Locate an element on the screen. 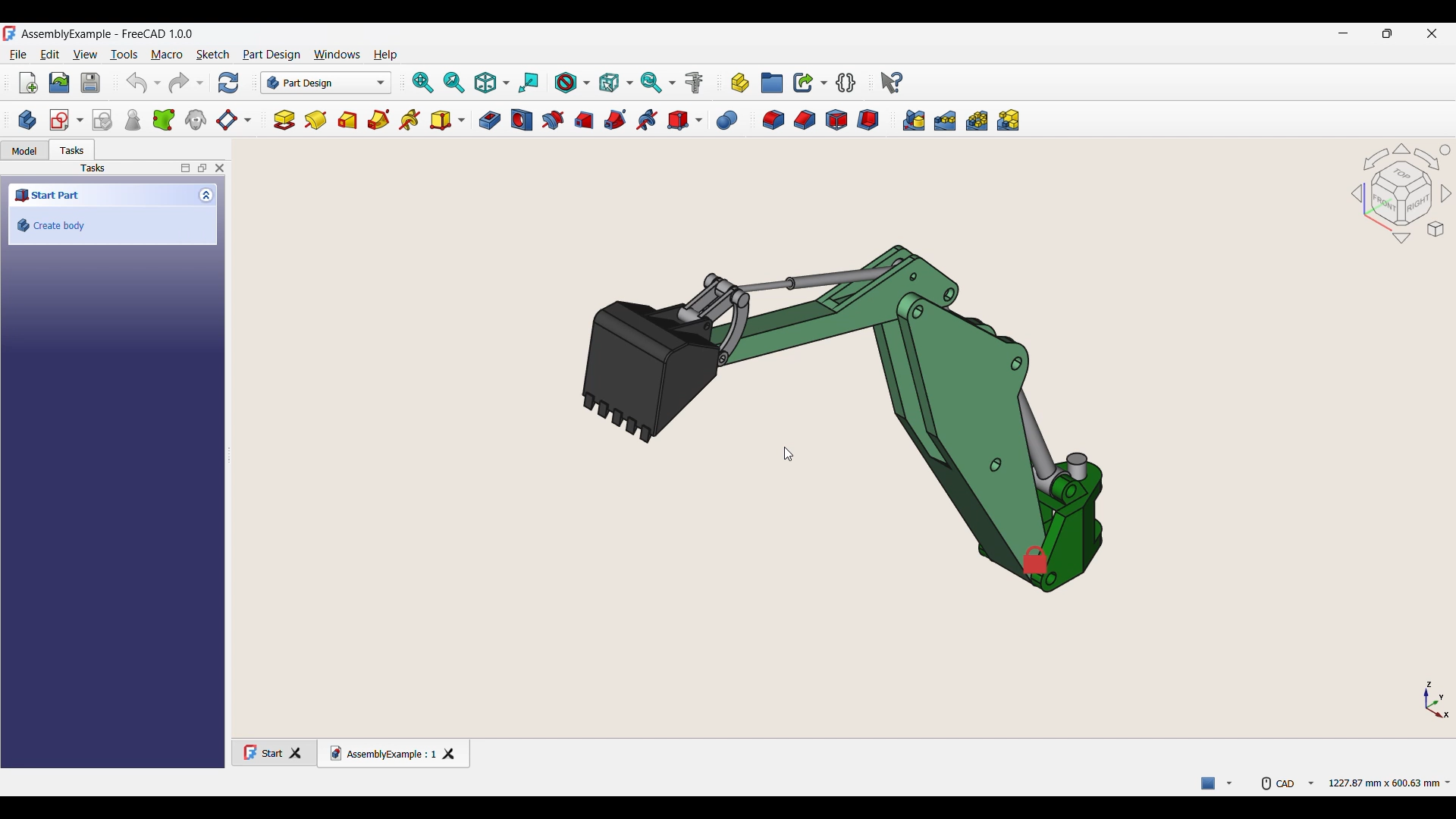 The width and height of the screenshot is (1456, 819). Redo is located at coordinates (187, 83).